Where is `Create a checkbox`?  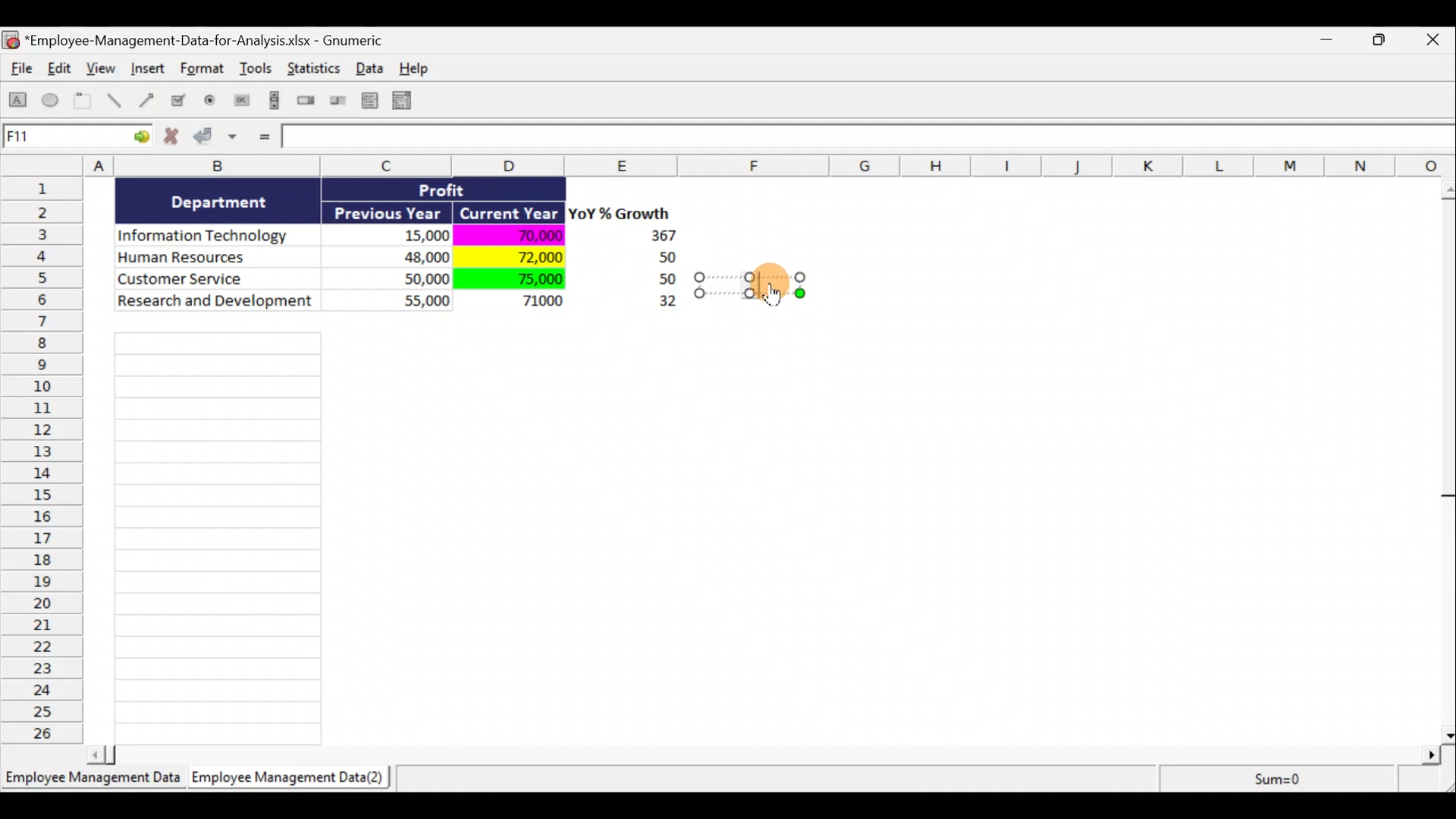 Create a checkbox is located at coordinates (179, 100).